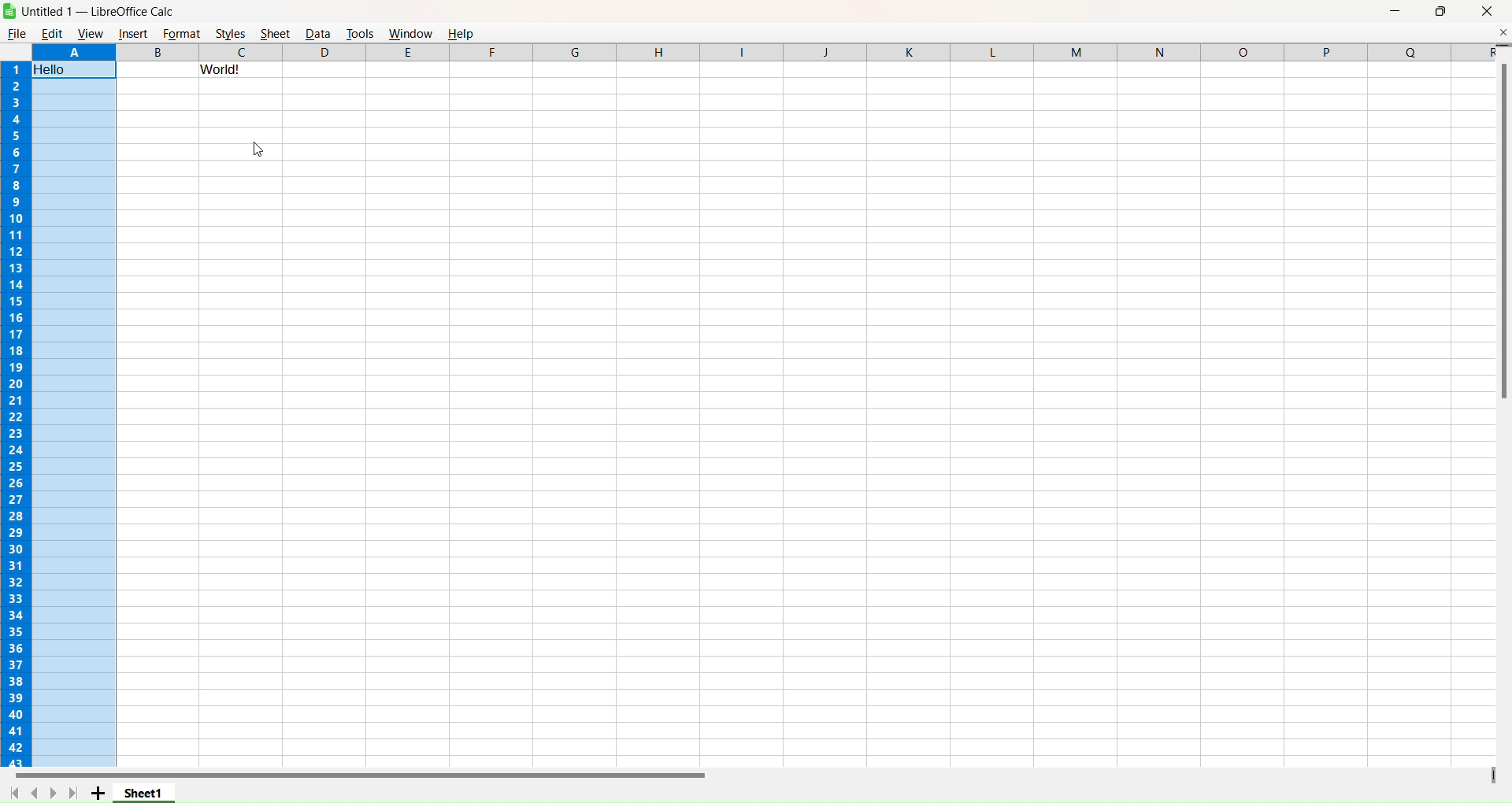 The height and width of the screenshot is (803, 1512). Describe the element at coordinates (9, 11) in the screenshot. I see `Logo` at that location.